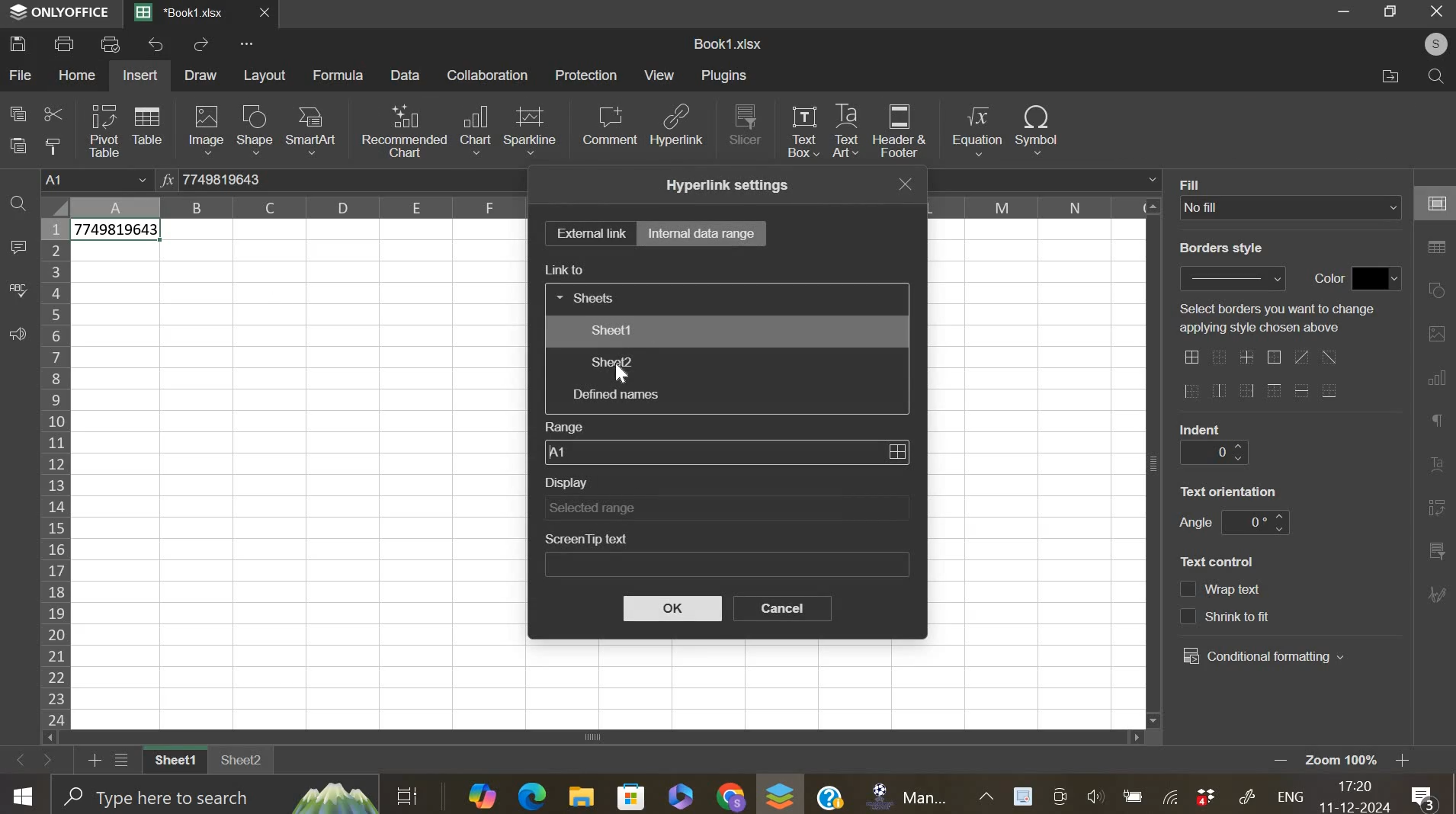 The image size is (1456, 814). I want to click on chart, so click(475, 130).